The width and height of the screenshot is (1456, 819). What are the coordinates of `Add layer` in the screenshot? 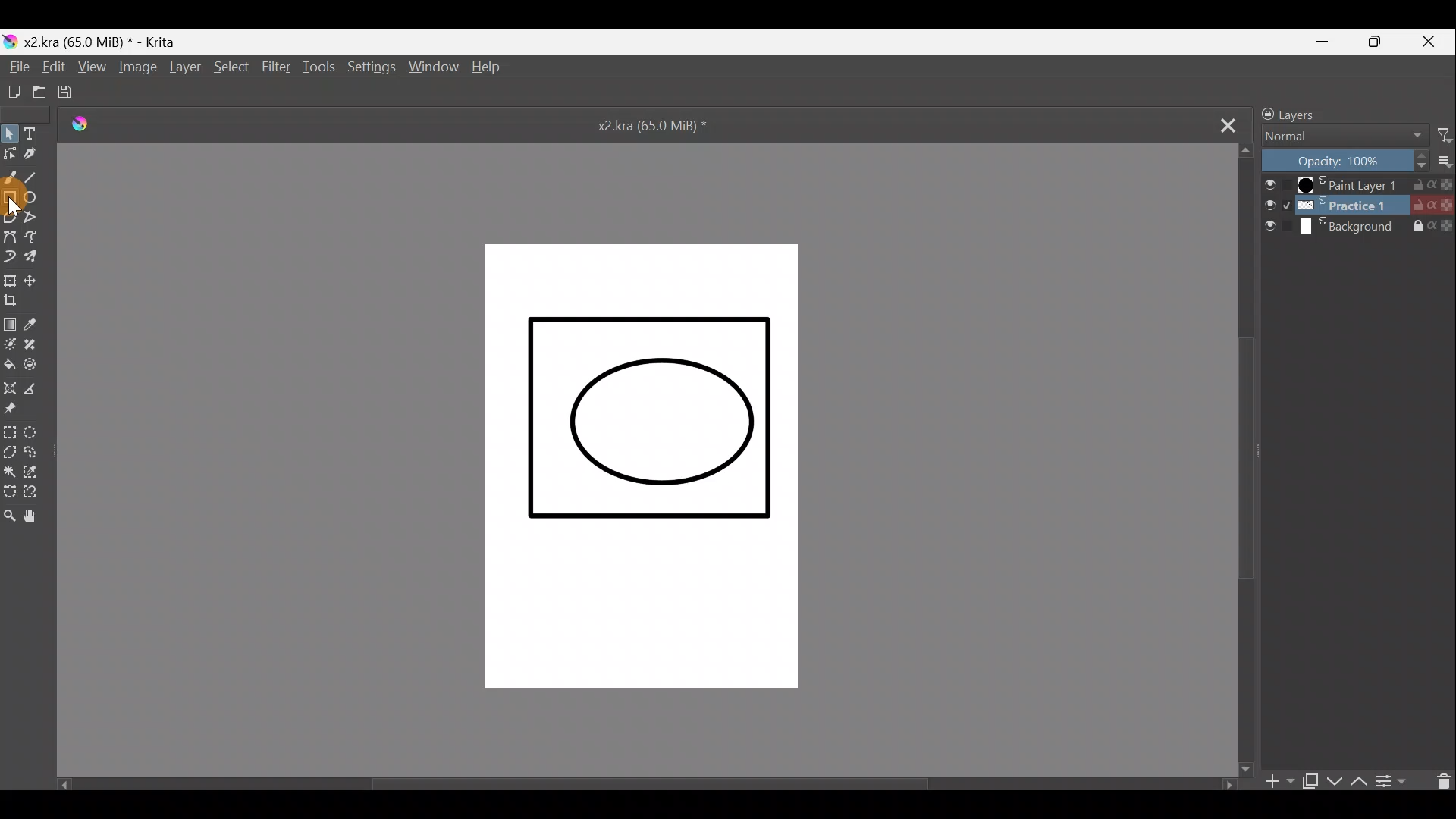 It's located at (1277, 786).